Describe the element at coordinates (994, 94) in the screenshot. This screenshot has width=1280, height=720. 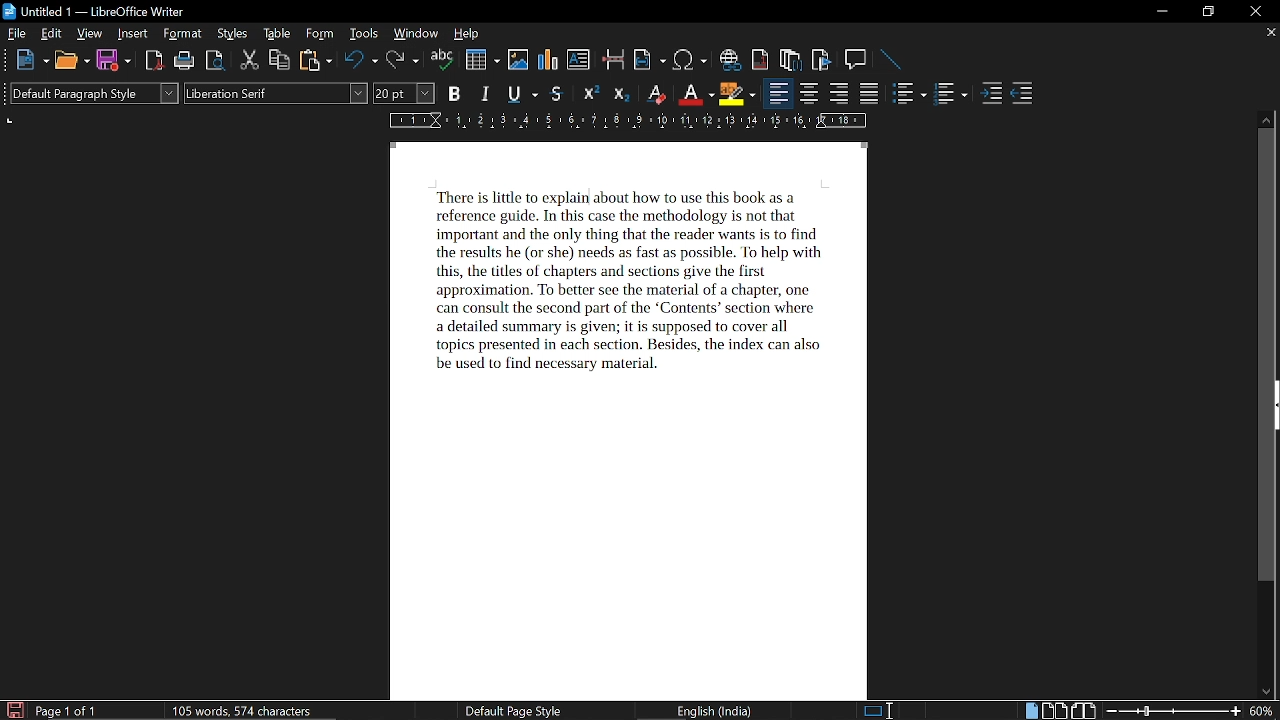
I see `increase indent` at that location.